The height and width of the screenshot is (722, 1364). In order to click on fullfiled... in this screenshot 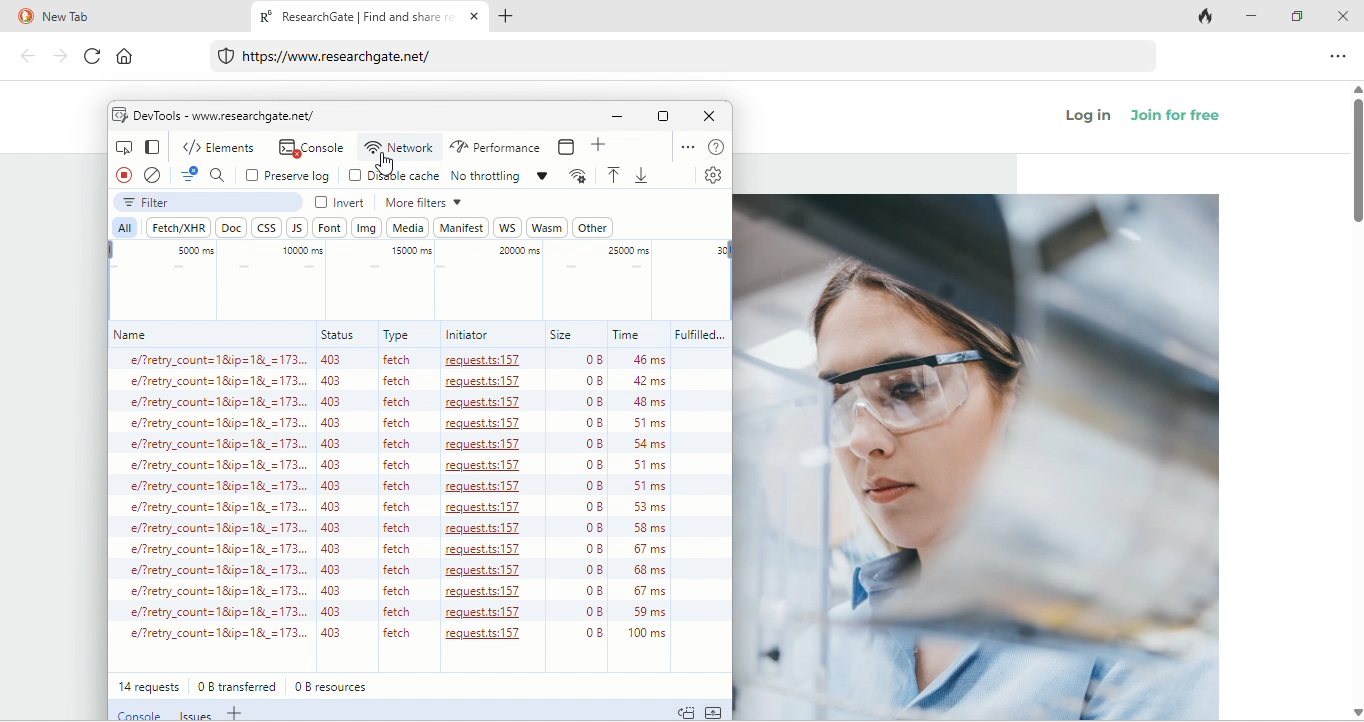, I will do `click(698, 335)`.